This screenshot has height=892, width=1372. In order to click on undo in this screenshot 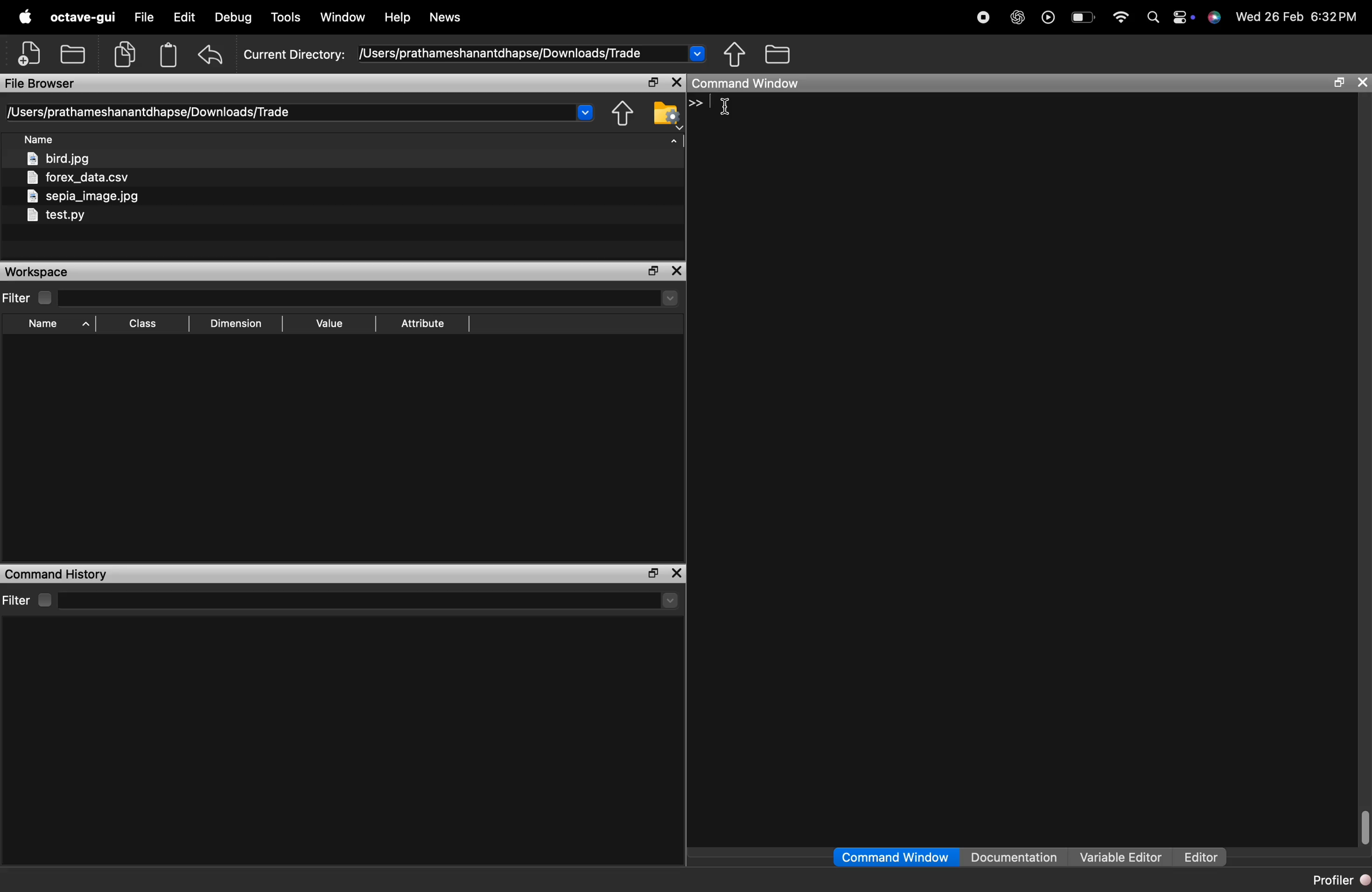, I will do `click(212, 54)`.